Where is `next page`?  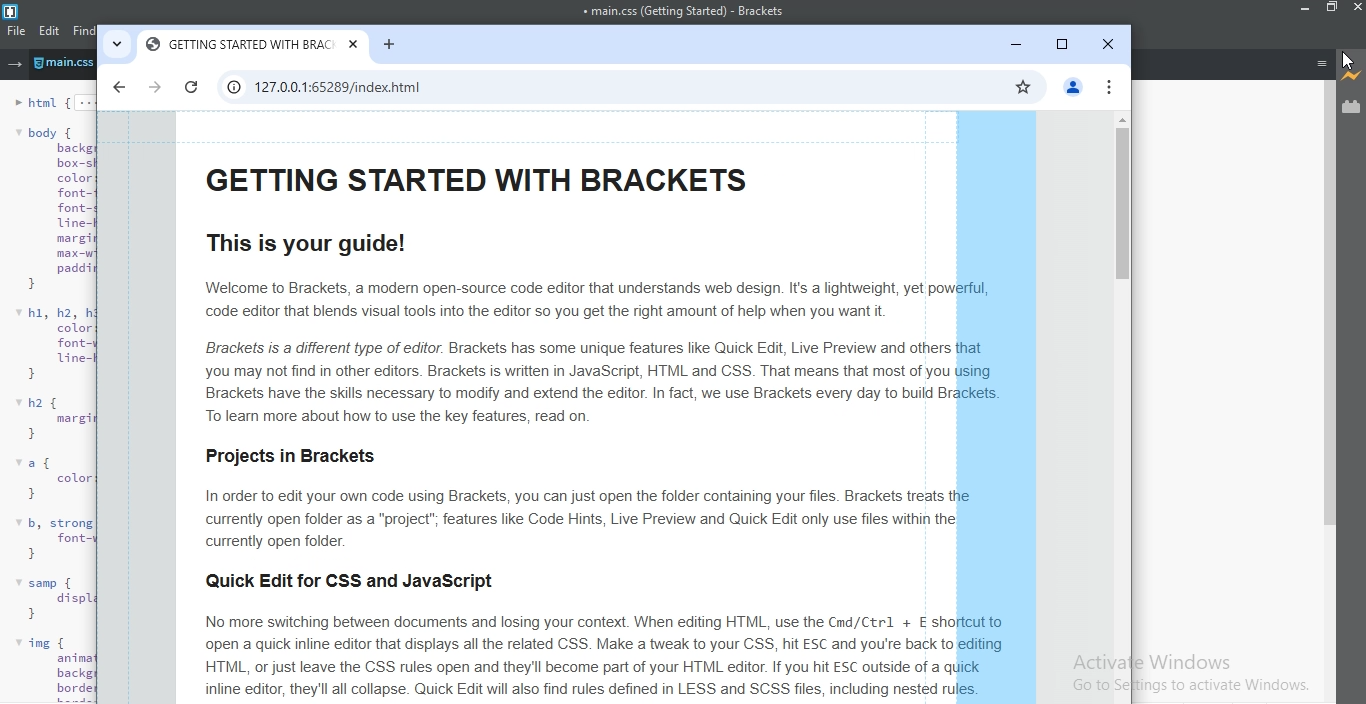
next page is located at coordinates (156, 91).